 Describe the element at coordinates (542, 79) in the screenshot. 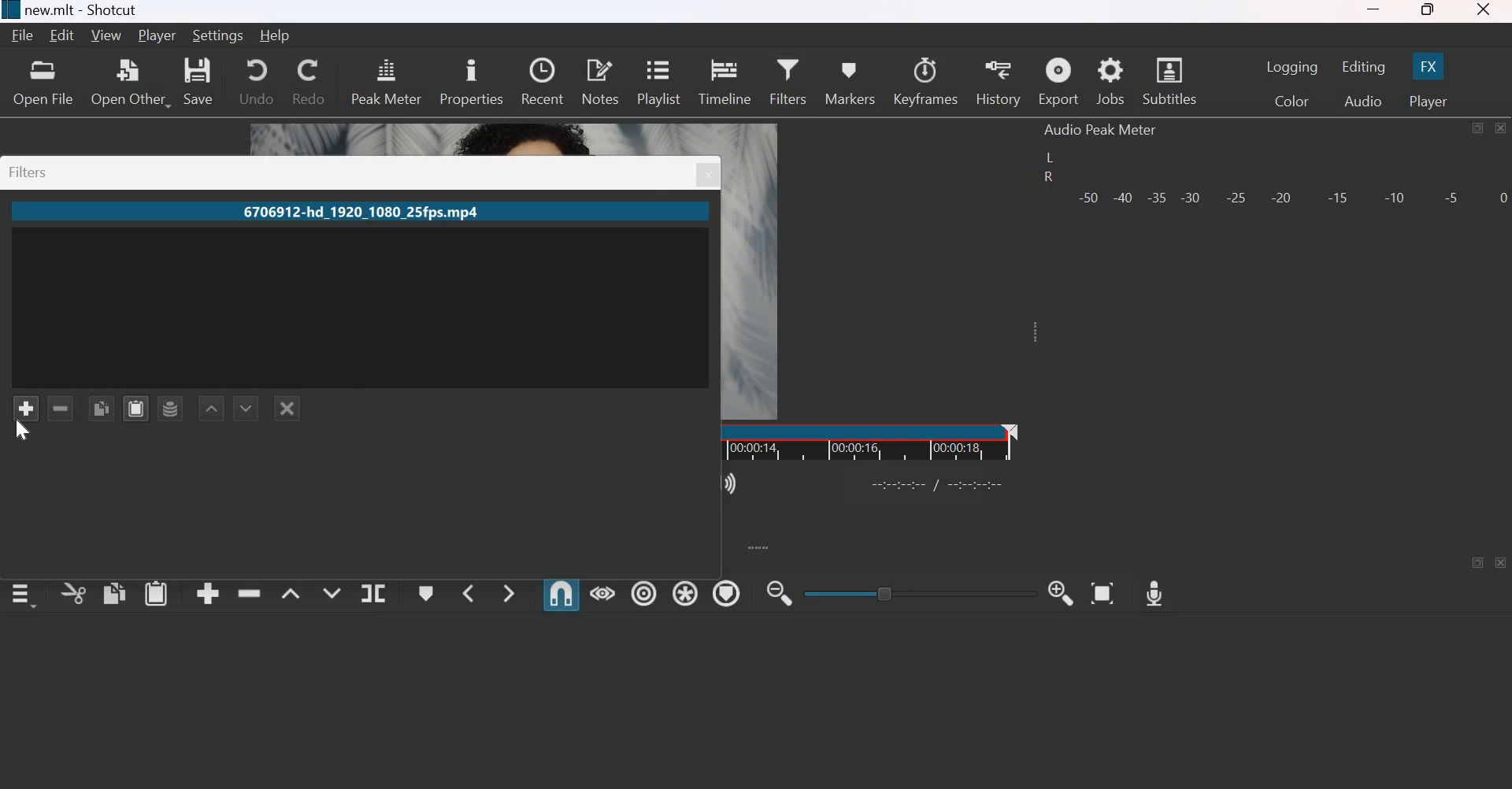

I see `recent` at that location.